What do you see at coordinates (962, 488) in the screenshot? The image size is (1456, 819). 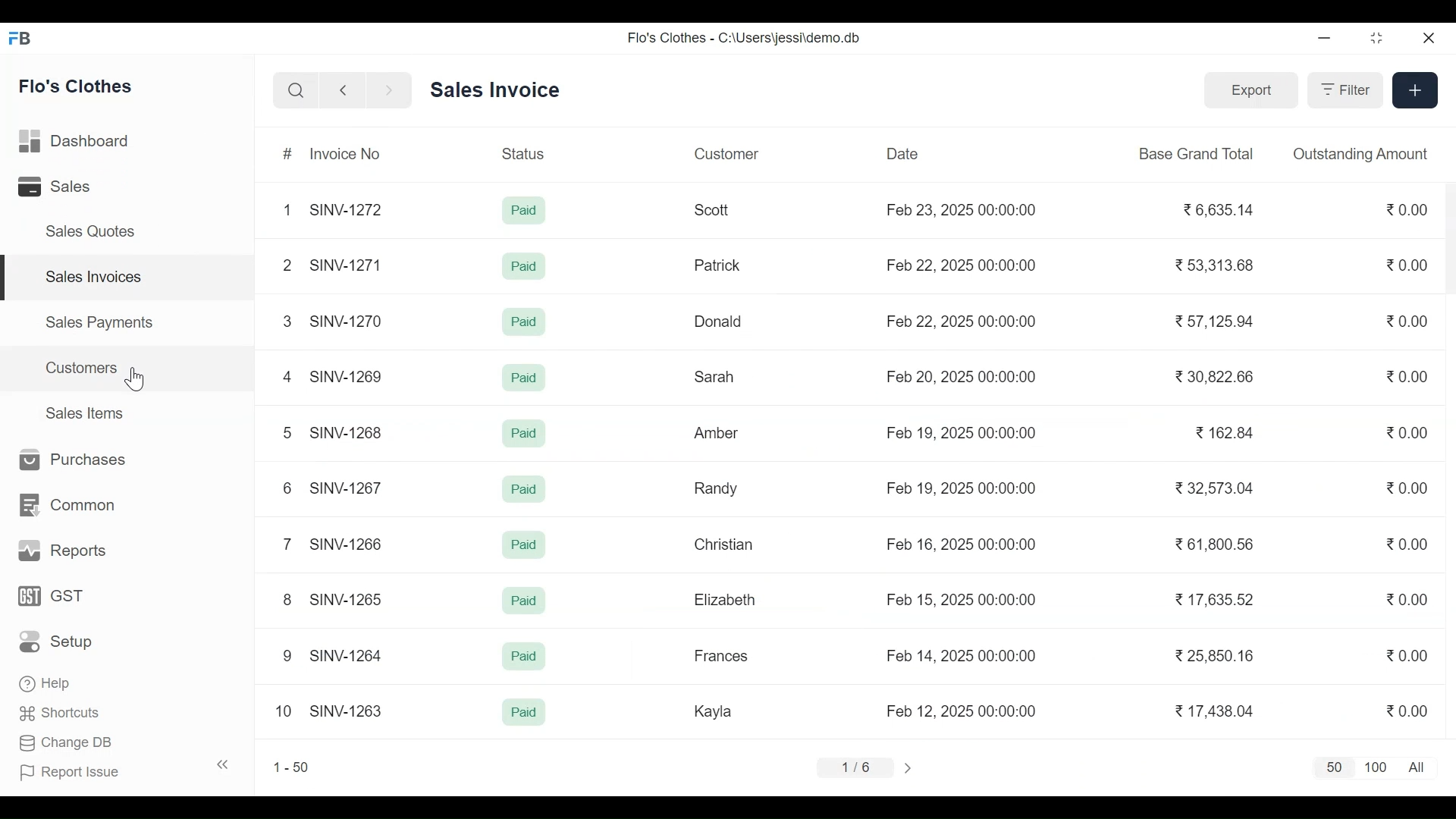 I see `Feb 19, 2025 00:00:00` at bounding box center [962, 488].